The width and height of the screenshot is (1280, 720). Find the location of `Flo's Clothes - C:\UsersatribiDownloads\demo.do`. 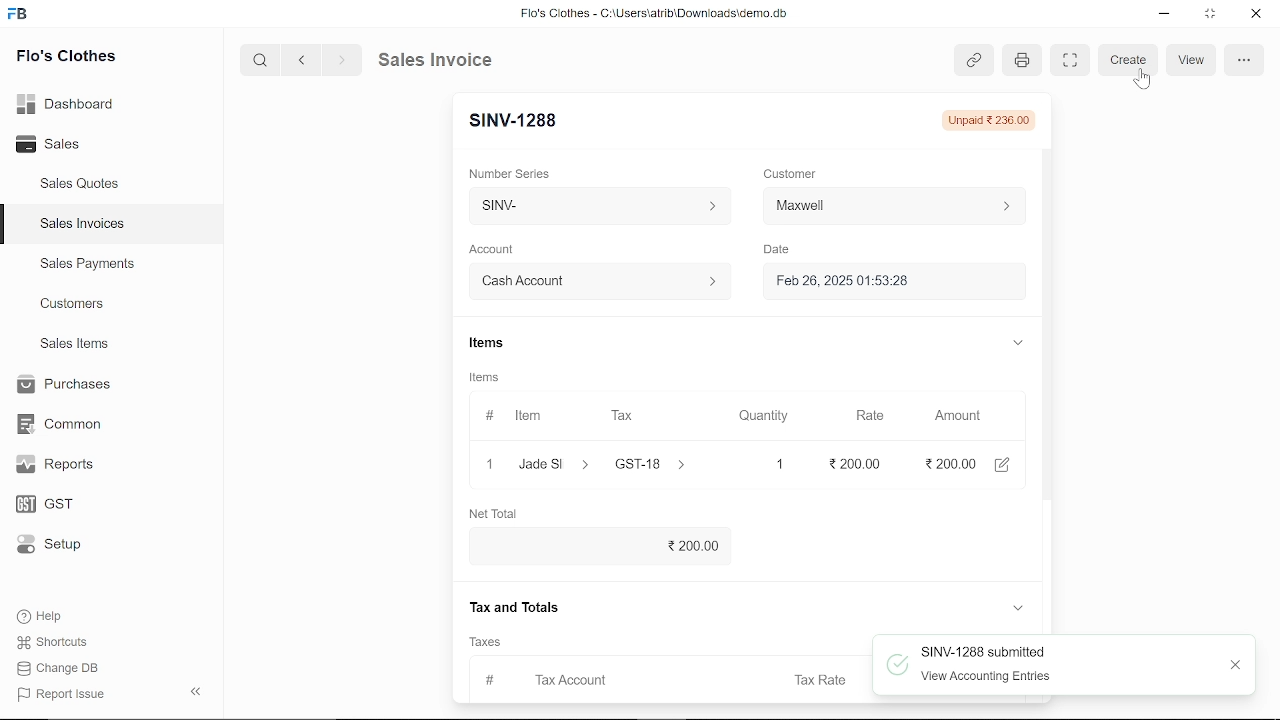

Flo's Clothes - C:\UsersatribiDownloads\demo.do is located at coordinates (662, 15).